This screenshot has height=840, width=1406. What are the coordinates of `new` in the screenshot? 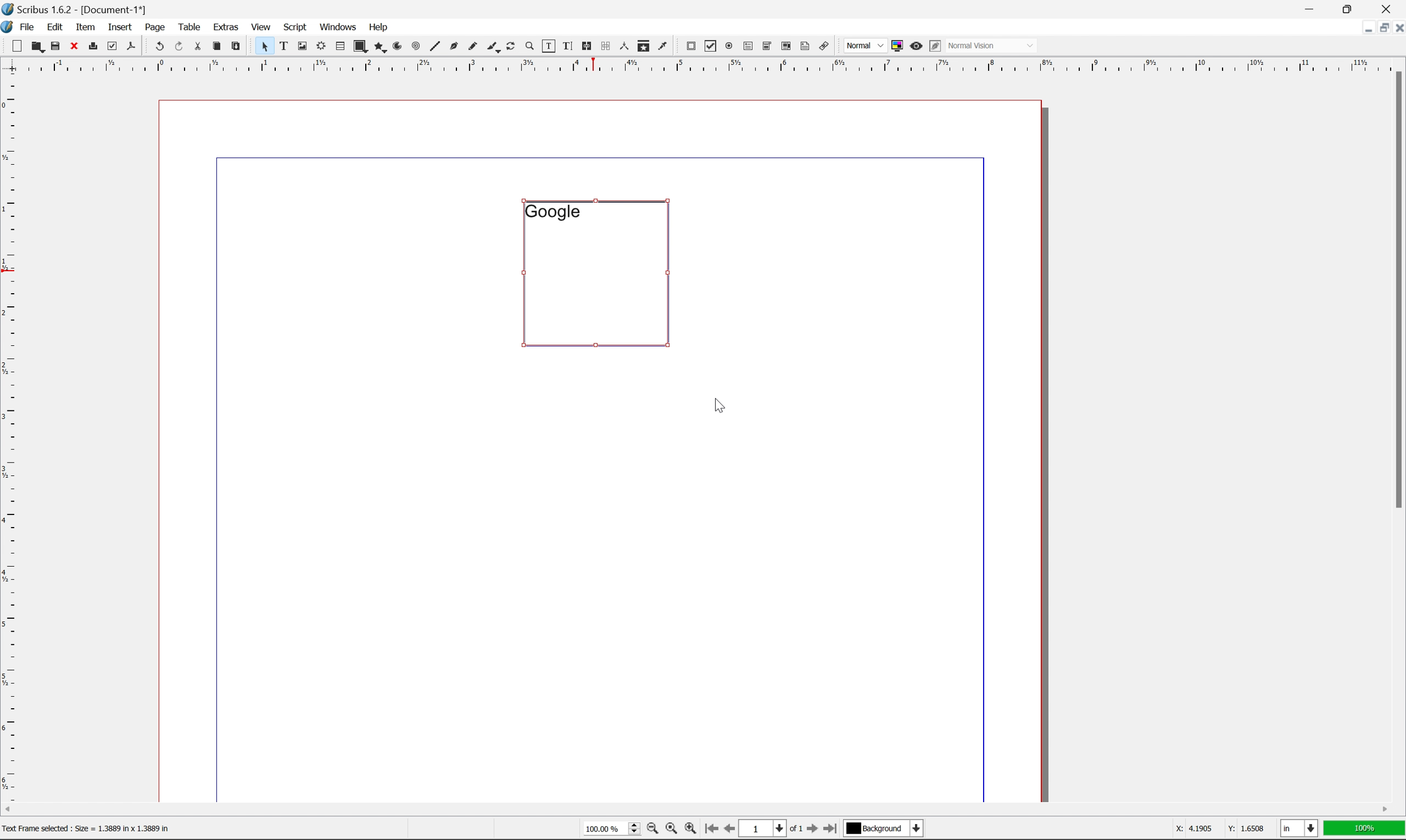 It's located at (18, 46).